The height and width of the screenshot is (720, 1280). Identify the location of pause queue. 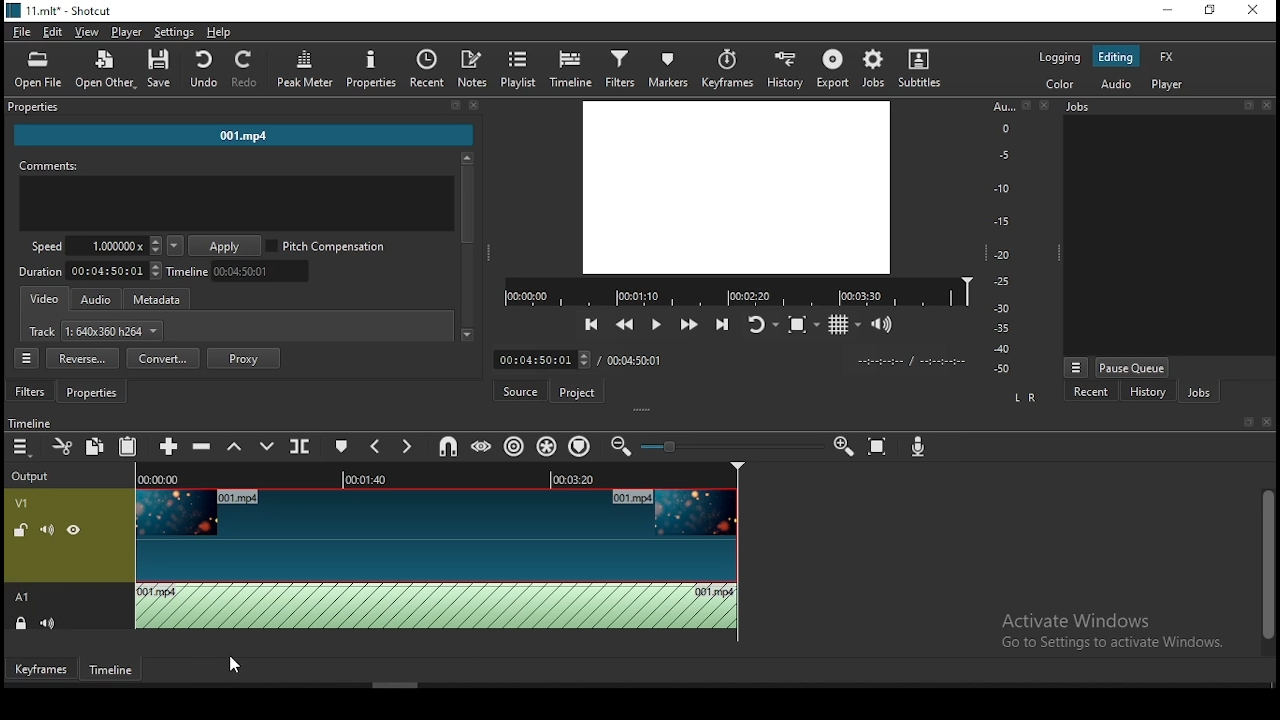
(1132, 368).